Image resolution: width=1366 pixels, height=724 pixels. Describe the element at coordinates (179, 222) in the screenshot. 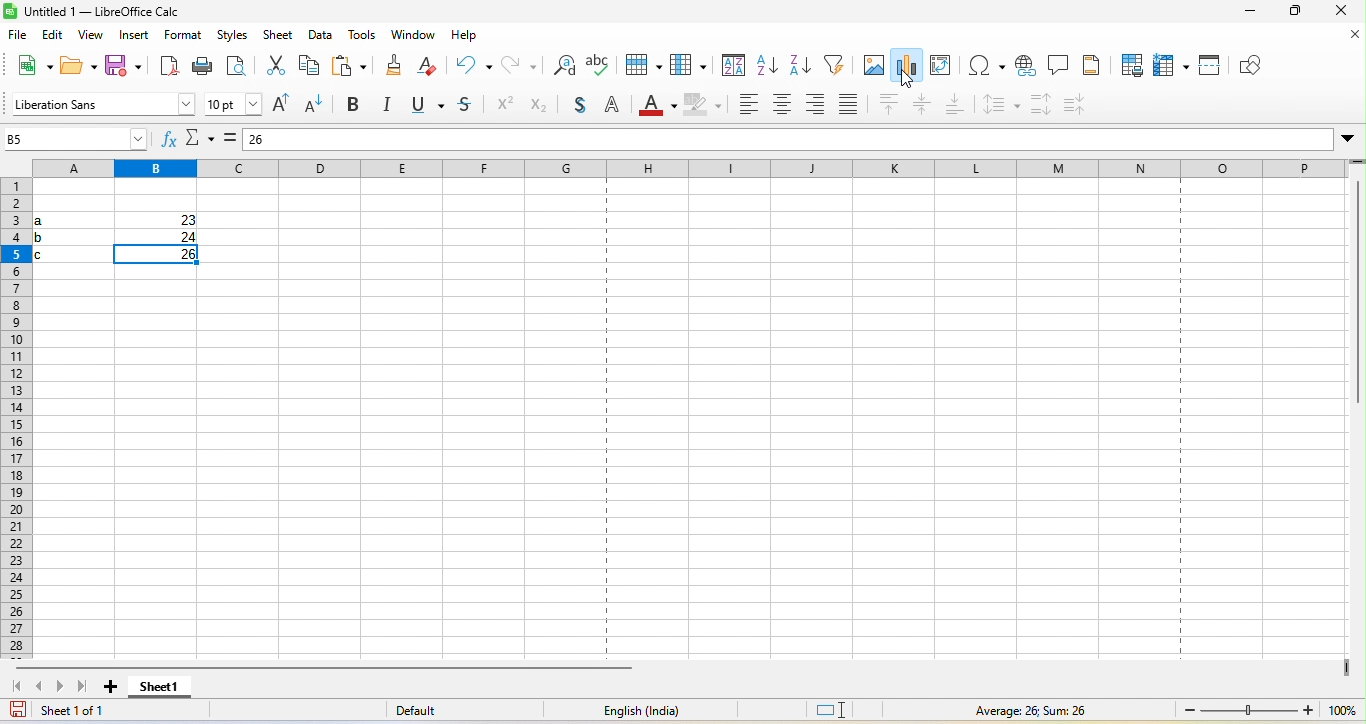

I see `23` at that location.